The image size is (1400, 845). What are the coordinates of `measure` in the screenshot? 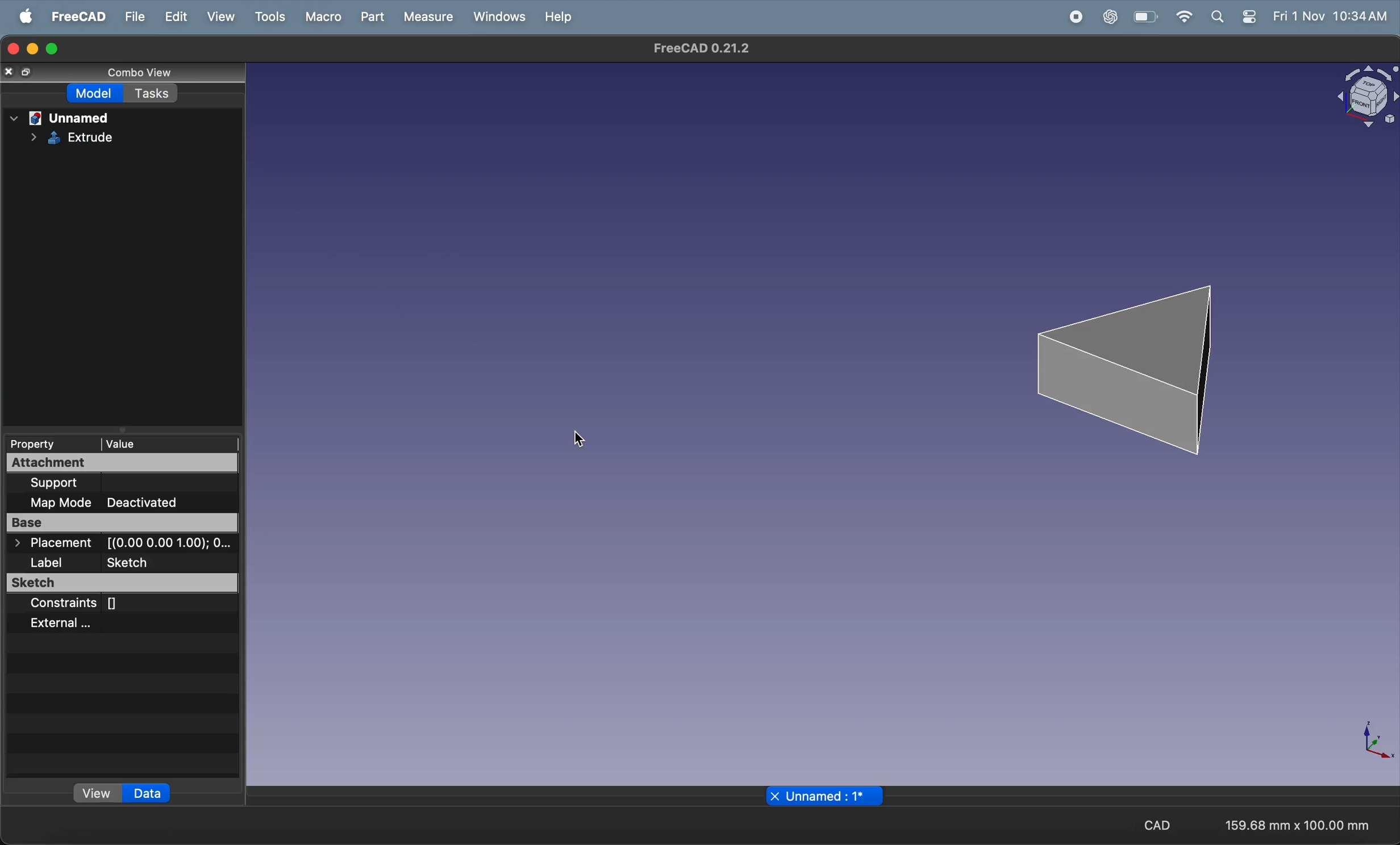 It's located at (430, 18).